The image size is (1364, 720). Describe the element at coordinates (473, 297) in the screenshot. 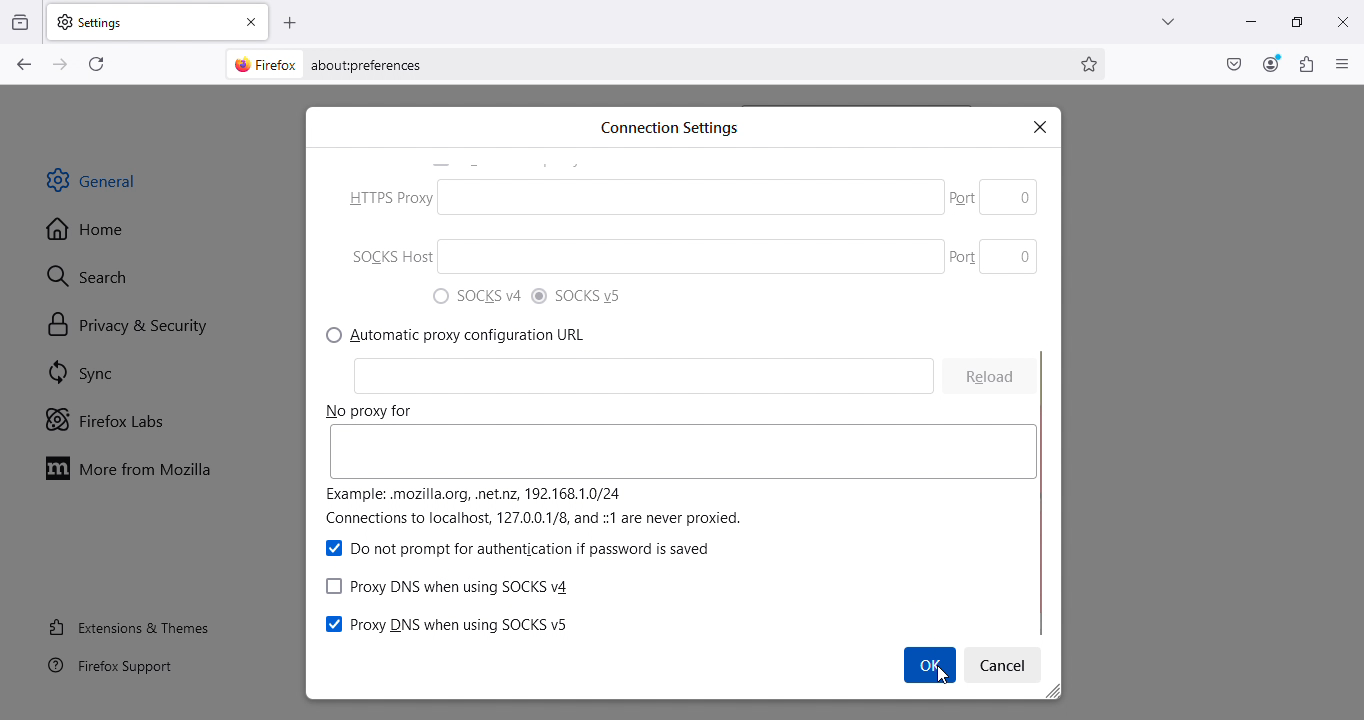

I see `) Use system proxy settings` at that location.